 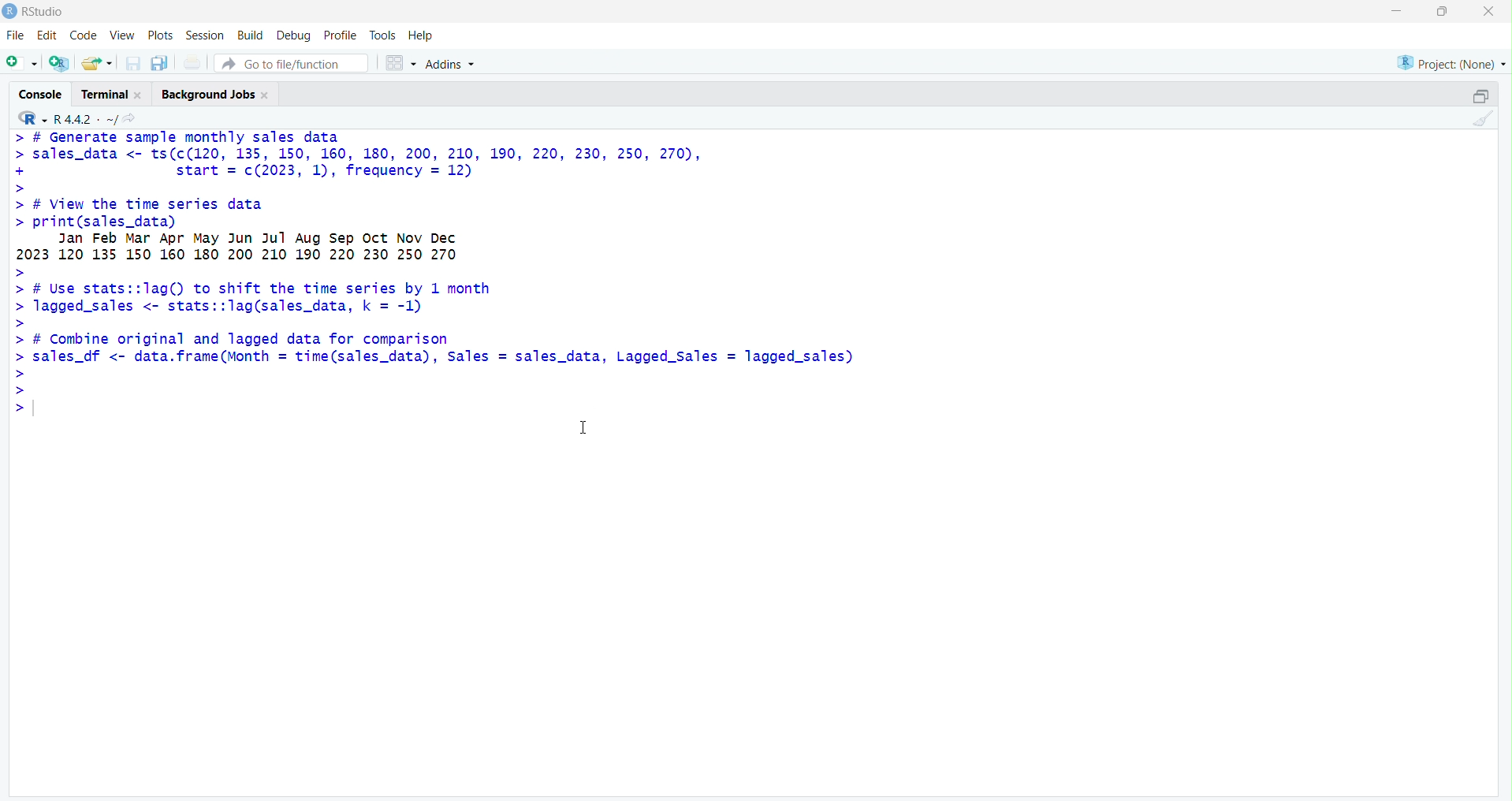 What do you see at coordinates (61, 63) in the screenshot?
I see `create a new project` at bounding box center [61, 63].